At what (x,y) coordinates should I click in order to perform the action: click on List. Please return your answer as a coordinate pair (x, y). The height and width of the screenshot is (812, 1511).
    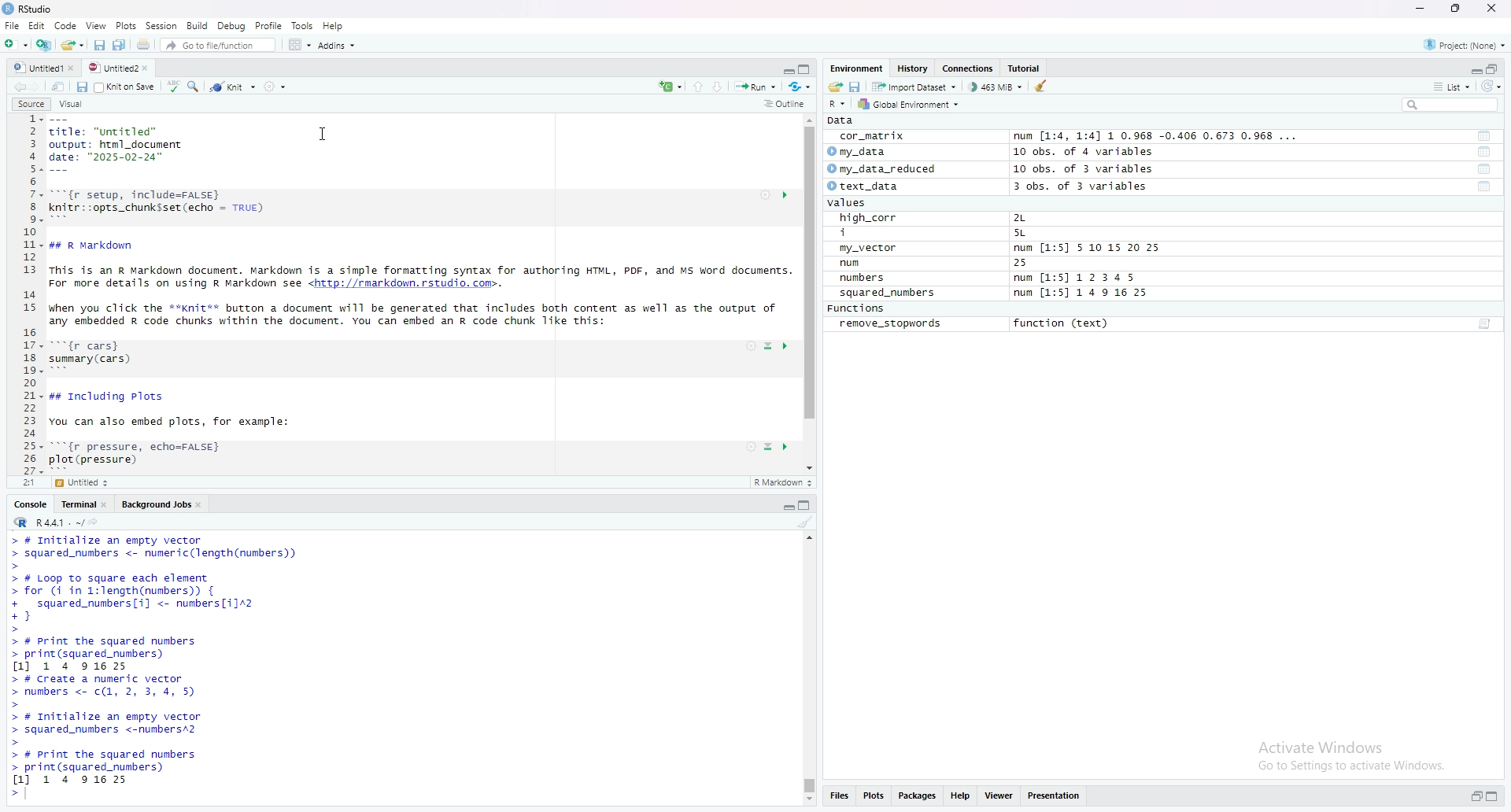
    Looking at the image, I should click on (1454, 86).